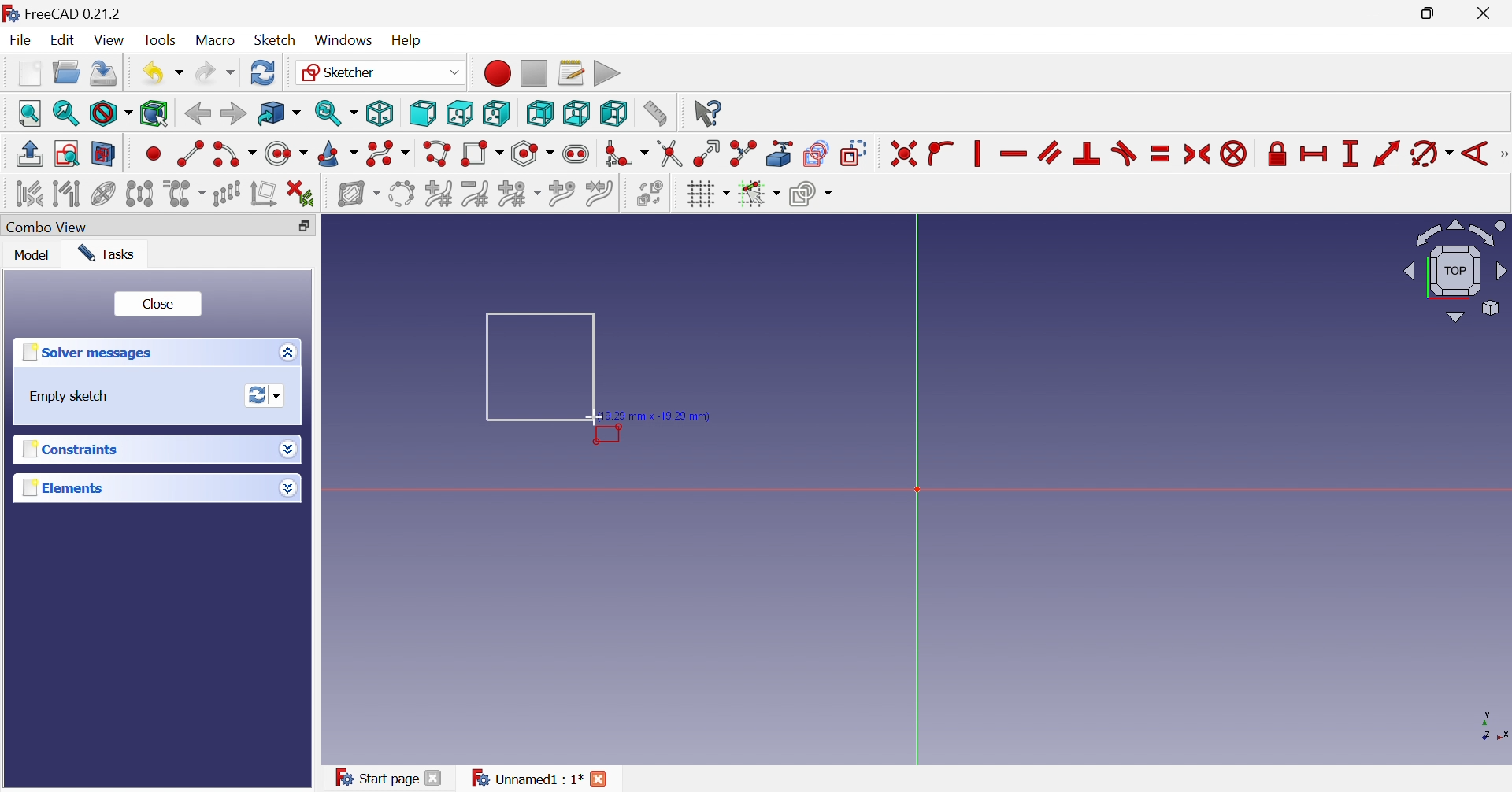 This screenshot has height=792, width=1512. Describe the element at coordinates (854, 154) in the screenshot. I see `Toggle construction geometry` at that location.